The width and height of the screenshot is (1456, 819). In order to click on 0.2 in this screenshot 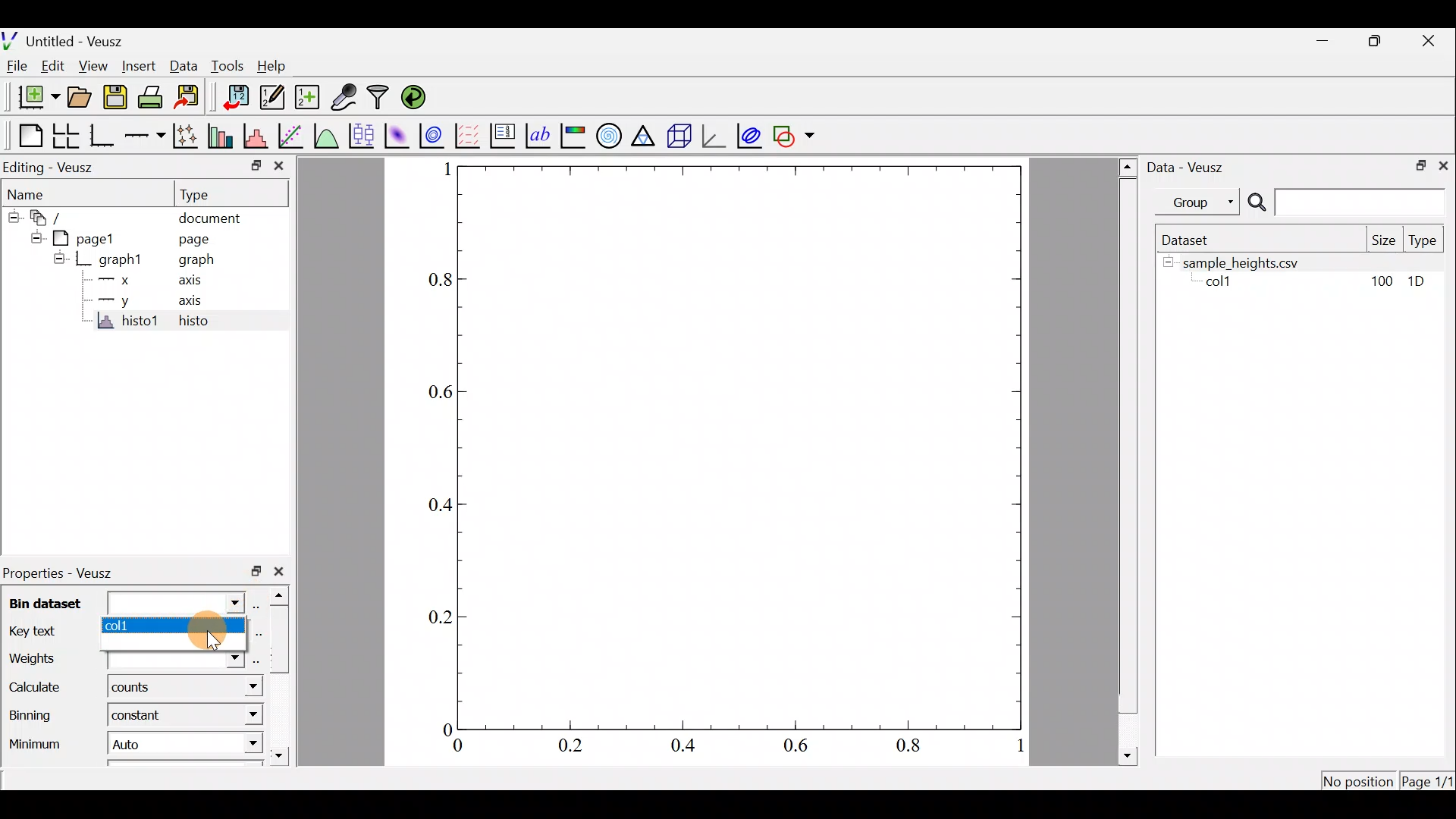, I will do `click(573, 745)`.